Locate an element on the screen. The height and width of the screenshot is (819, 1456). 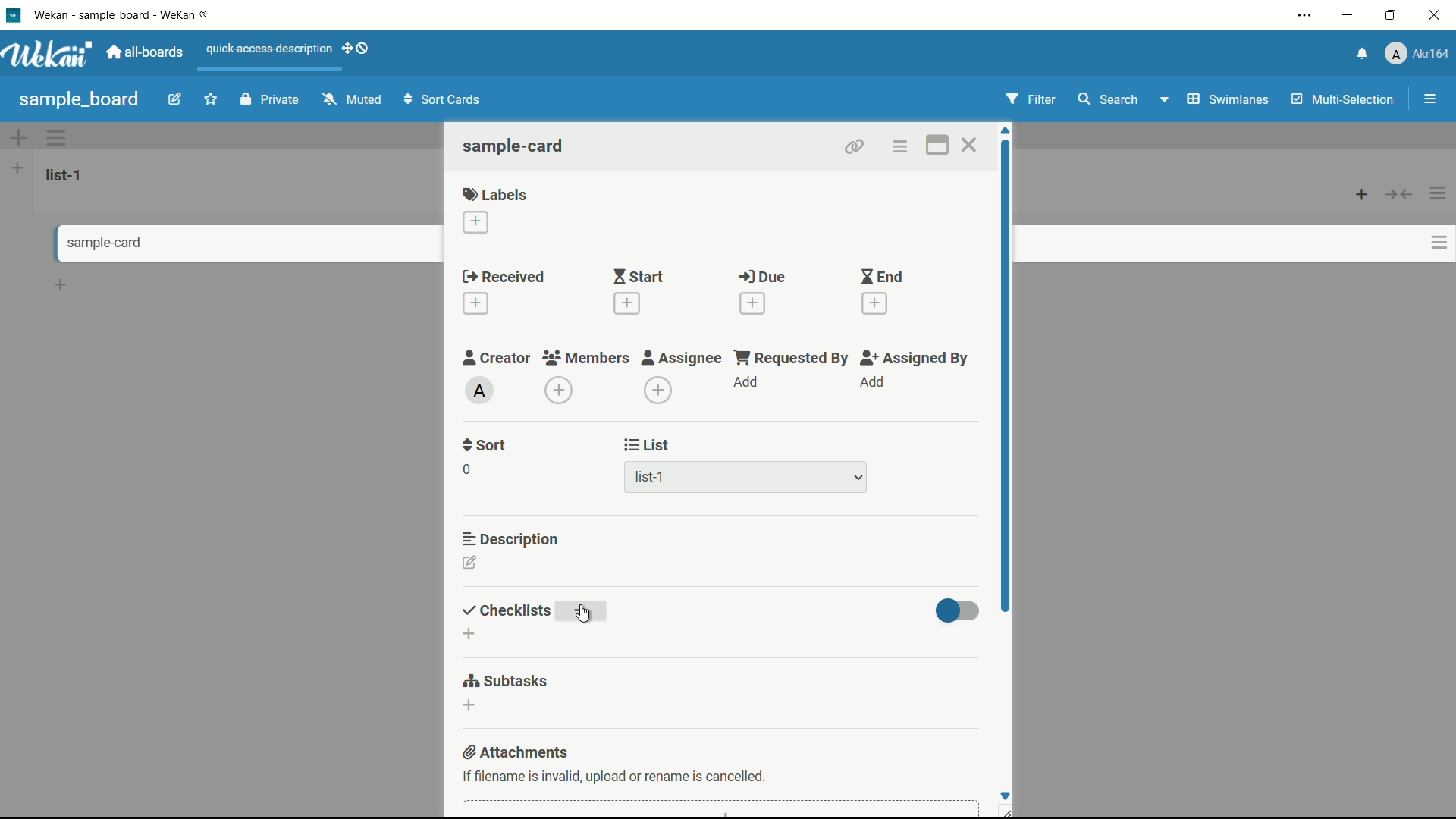
add card bottom is located at coordinates (61, 285).